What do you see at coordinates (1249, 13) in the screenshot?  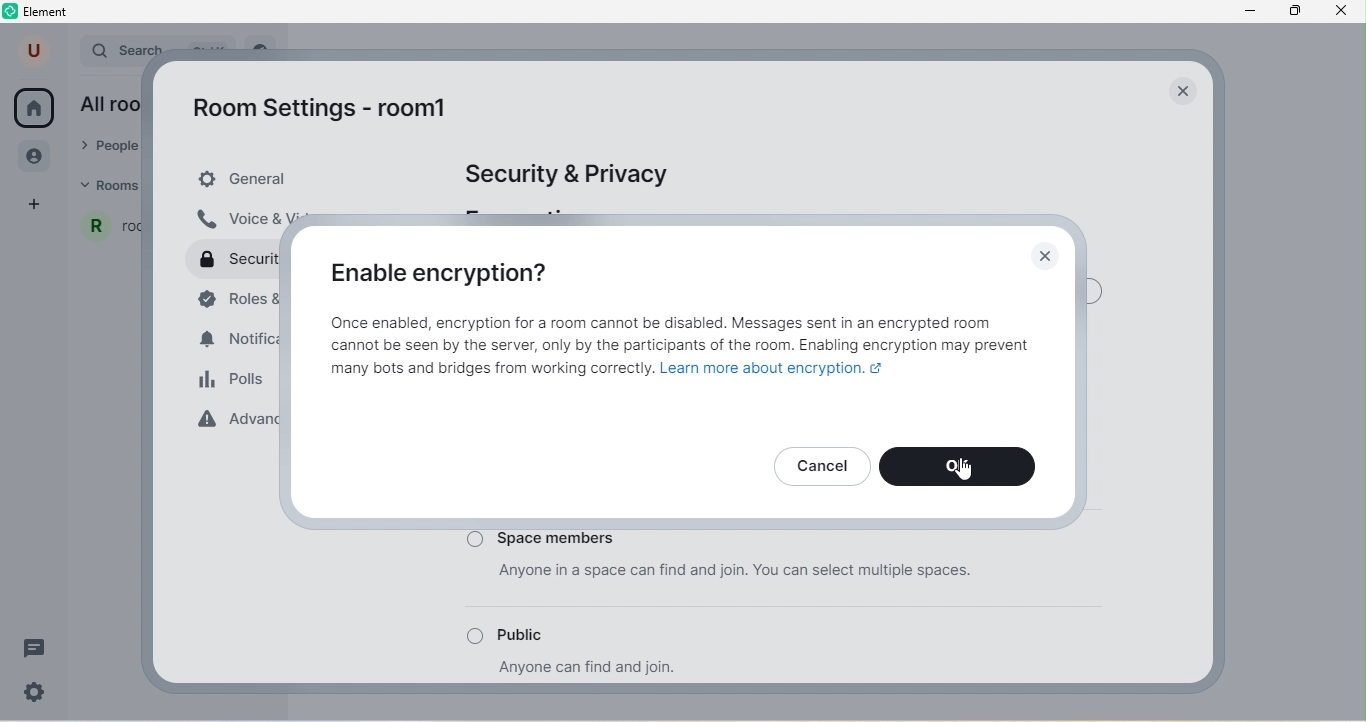 I see `minimize` at bounding box center [1249, 13].